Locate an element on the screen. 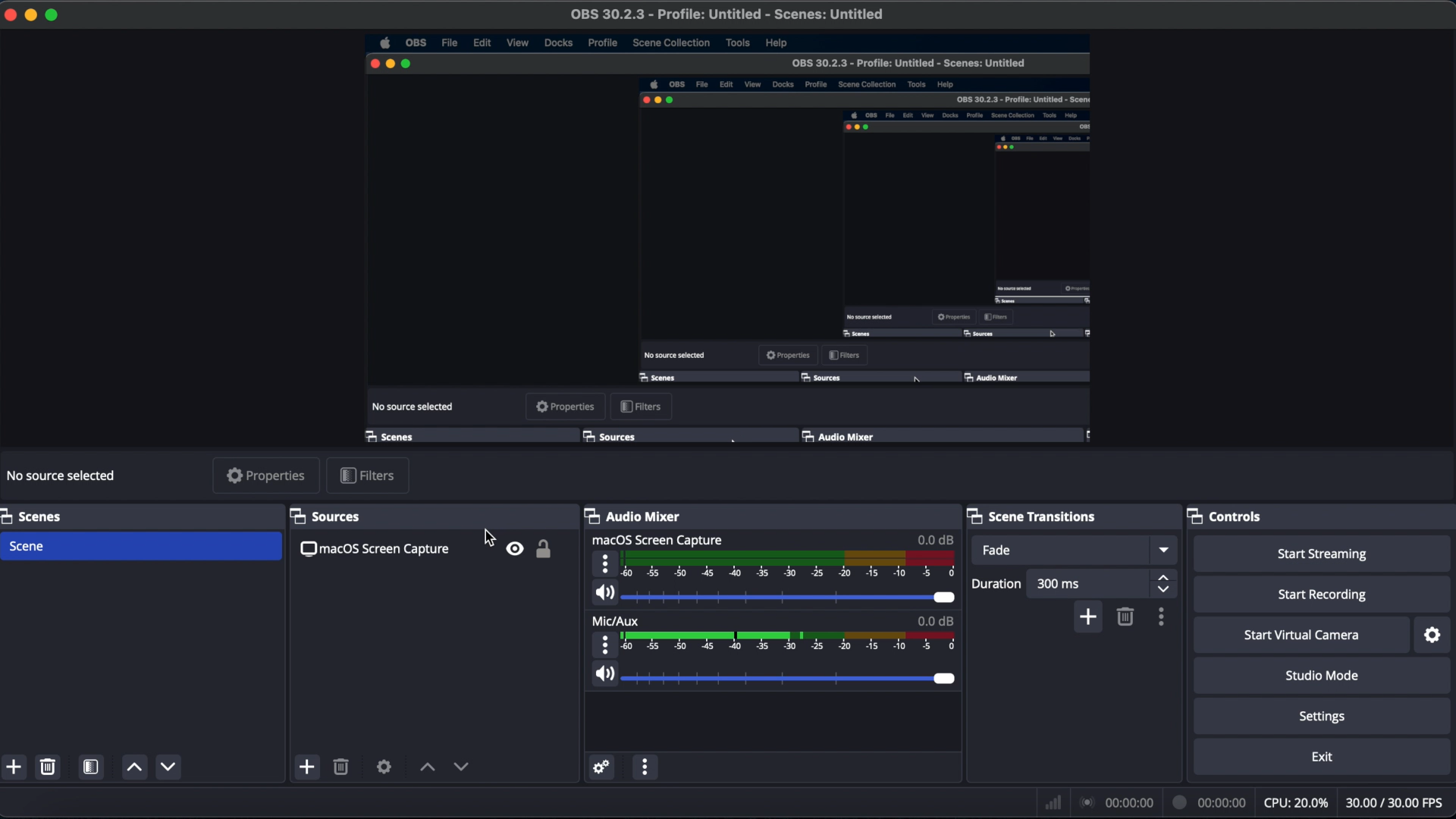 The width and height of the screenshot is (1456, 819). fade is located at coordinates (1001, 551).